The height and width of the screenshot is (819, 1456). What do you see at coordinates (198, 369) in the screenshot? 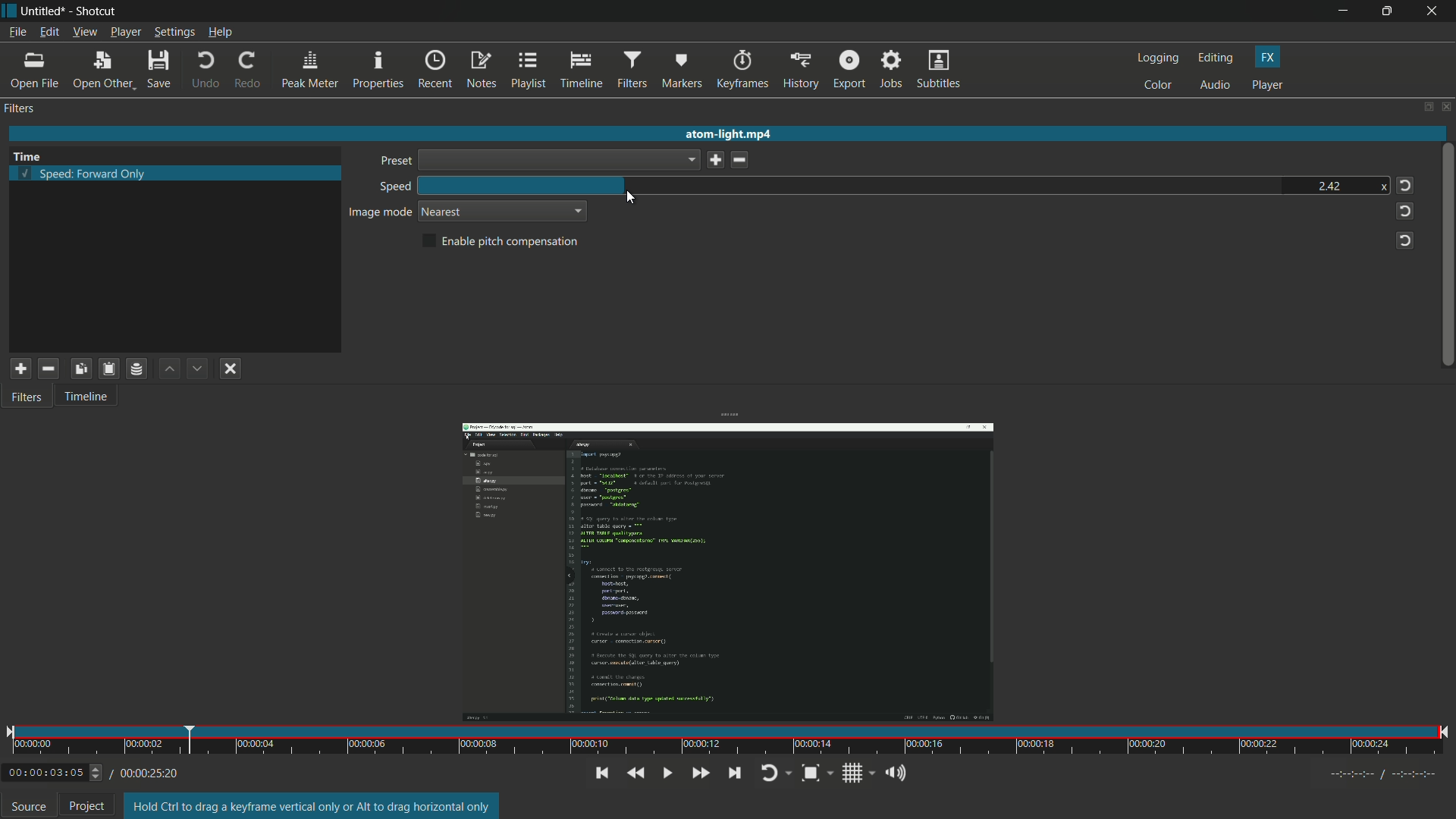
I see `move filter down` at bounding box center [198, 369].